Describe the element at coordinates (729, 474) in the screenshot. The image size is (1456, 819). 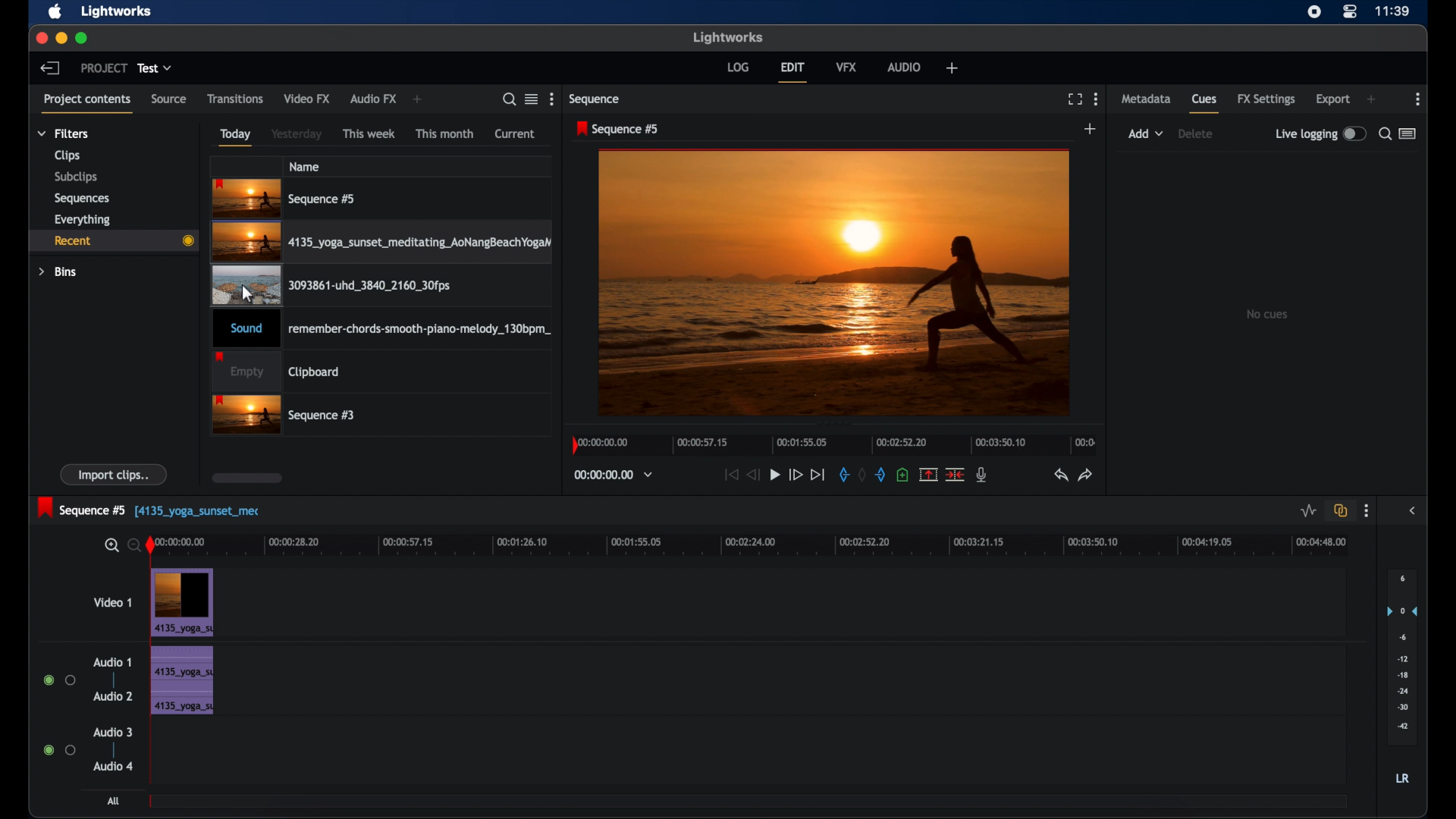
I see `jump to start` at that location.